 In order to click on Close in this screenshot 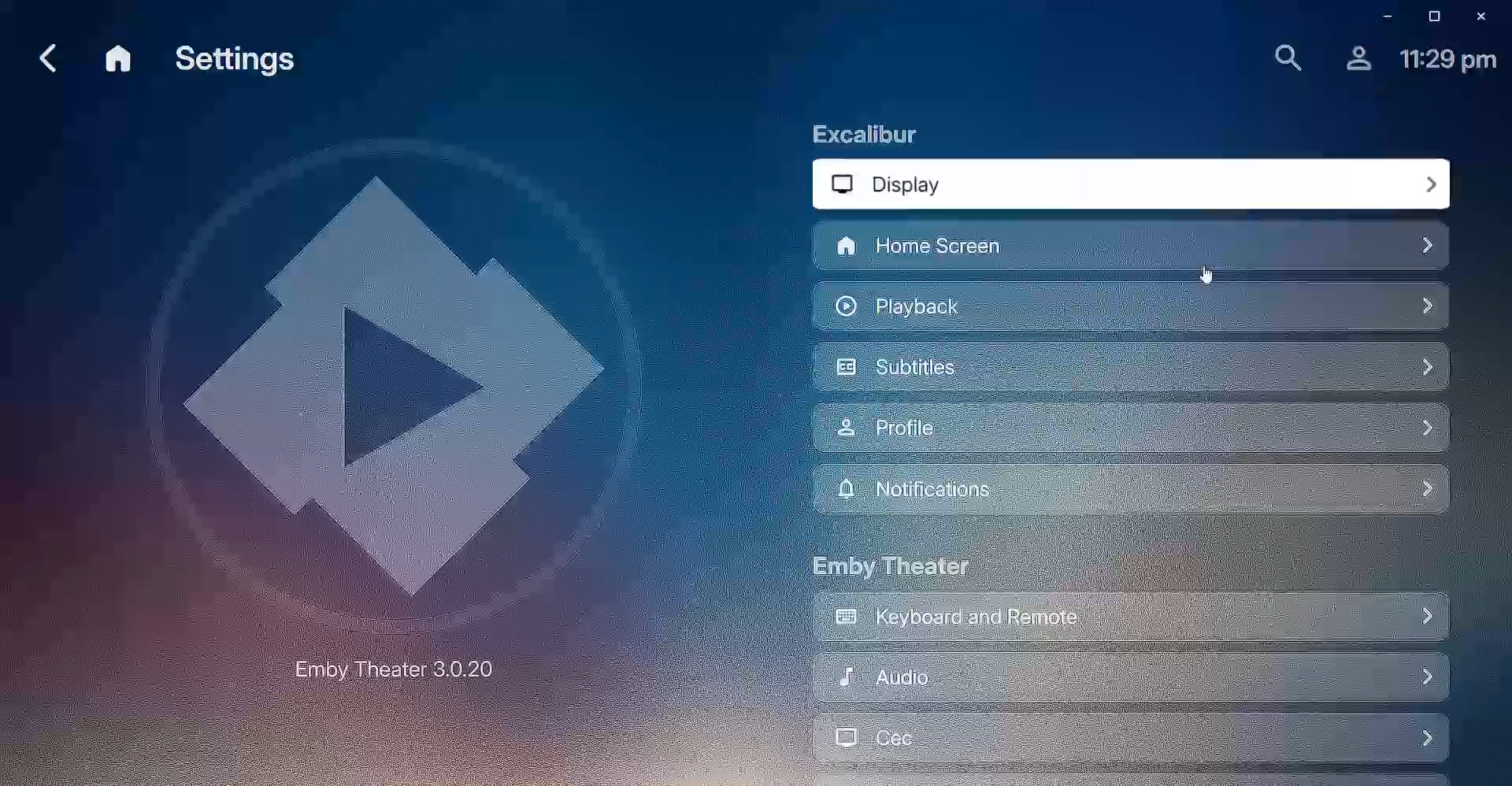, I will do `click(1485, 15)`.